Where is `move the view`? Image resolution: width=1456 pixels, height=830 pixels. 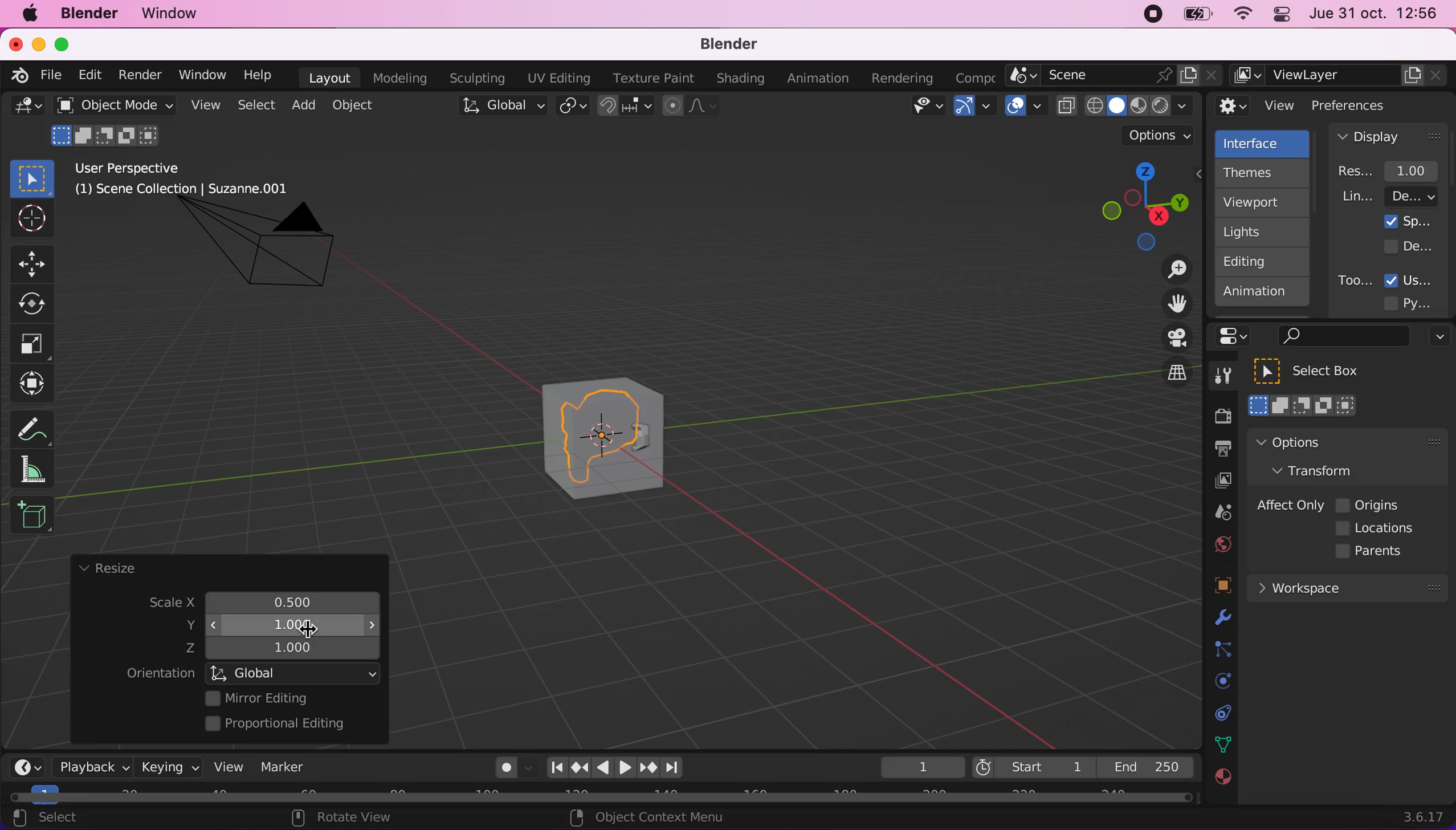 move the view is located at coordinates (1168, 304).